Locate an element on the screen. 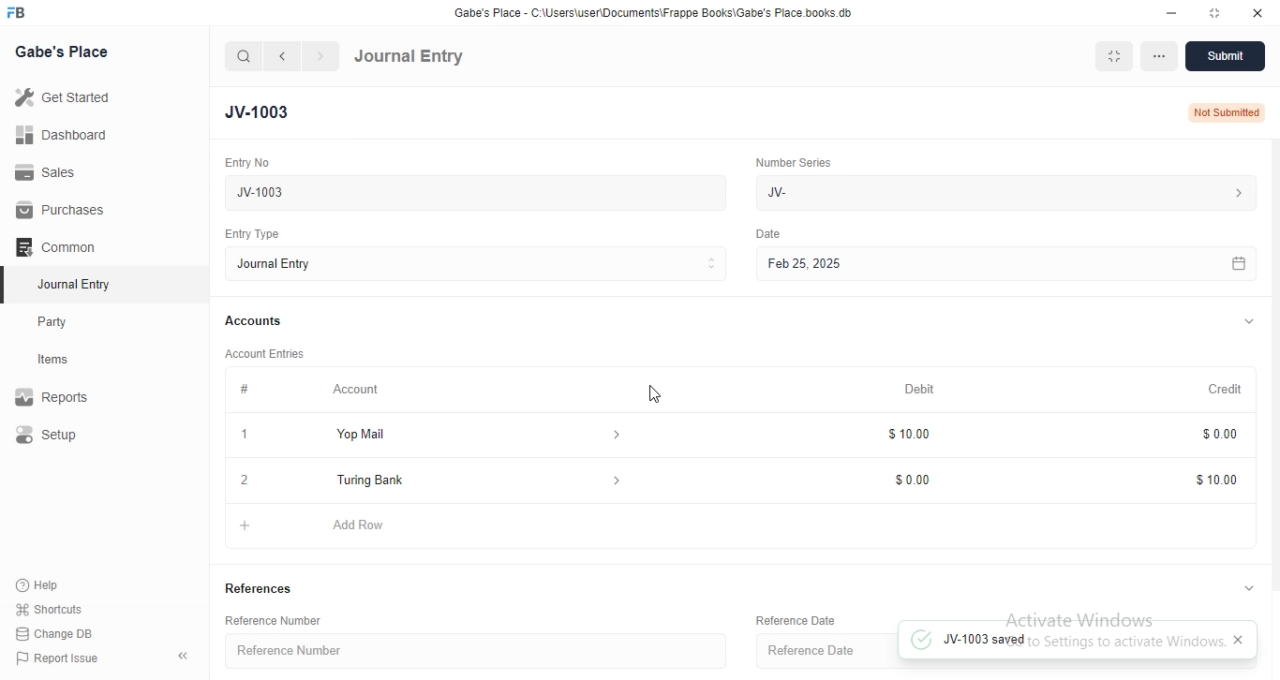  navigate forward is located at coordinates (321, 56).